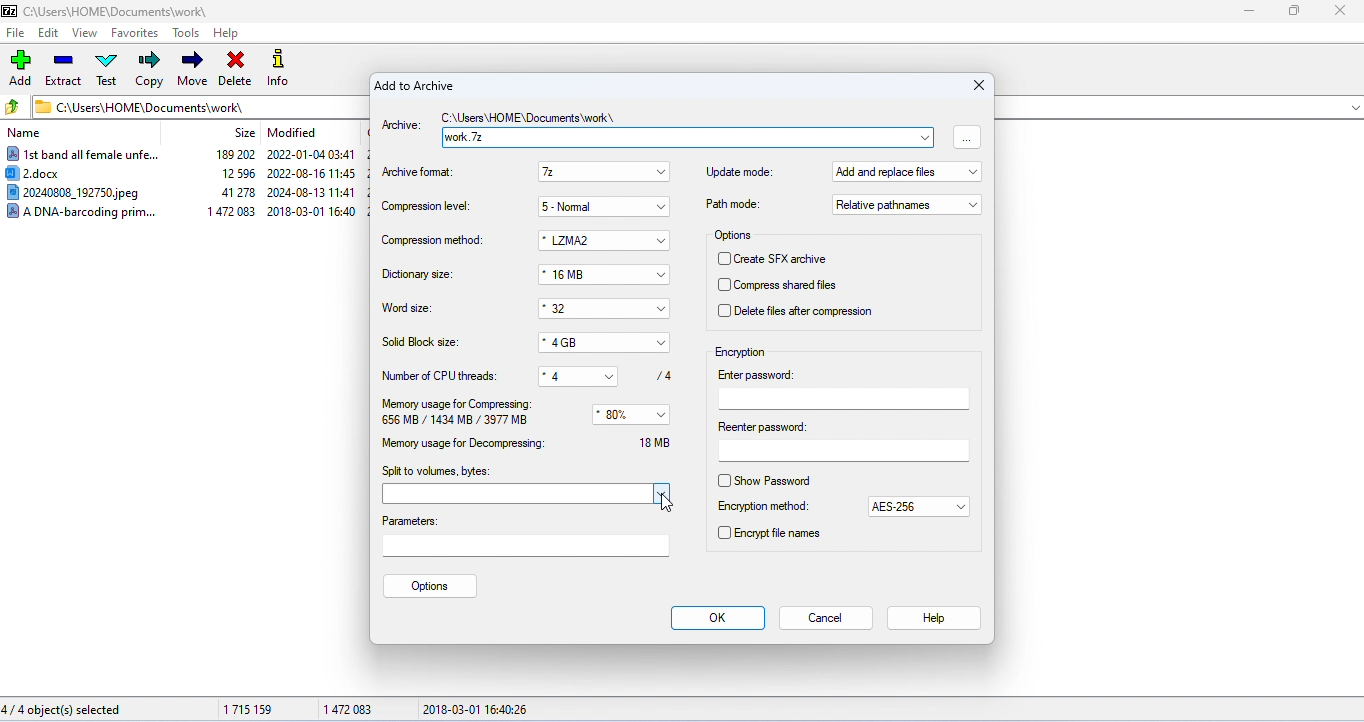 This screenshot has height=722, width=1364. I want to click on drop down, so click(926, 136).